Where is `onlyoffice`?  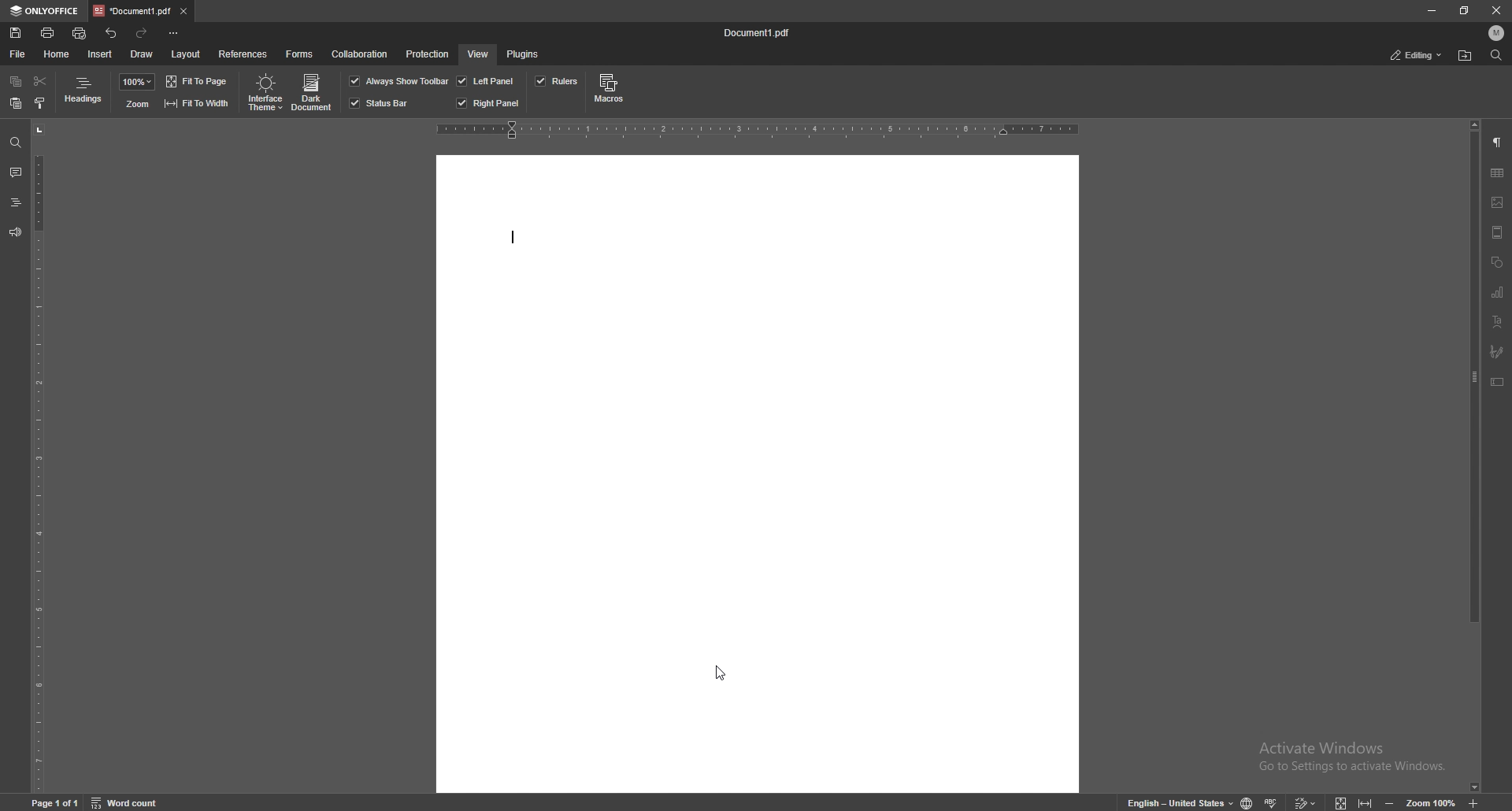
onlyoffice is located at coordinates (44, 11).